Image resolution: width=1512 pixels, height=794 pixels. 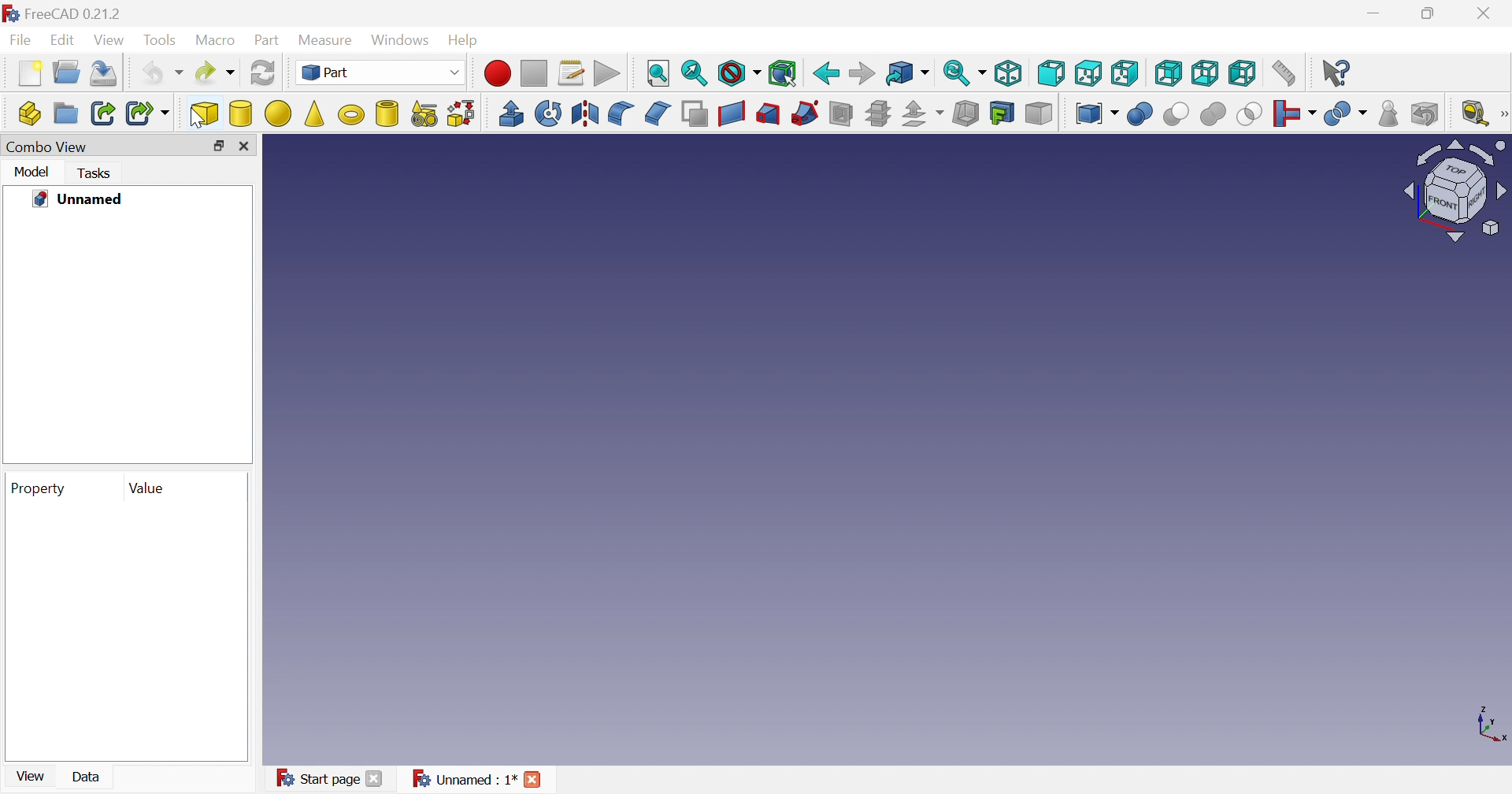 I want to click on Left, so click(x=1242, y=74).